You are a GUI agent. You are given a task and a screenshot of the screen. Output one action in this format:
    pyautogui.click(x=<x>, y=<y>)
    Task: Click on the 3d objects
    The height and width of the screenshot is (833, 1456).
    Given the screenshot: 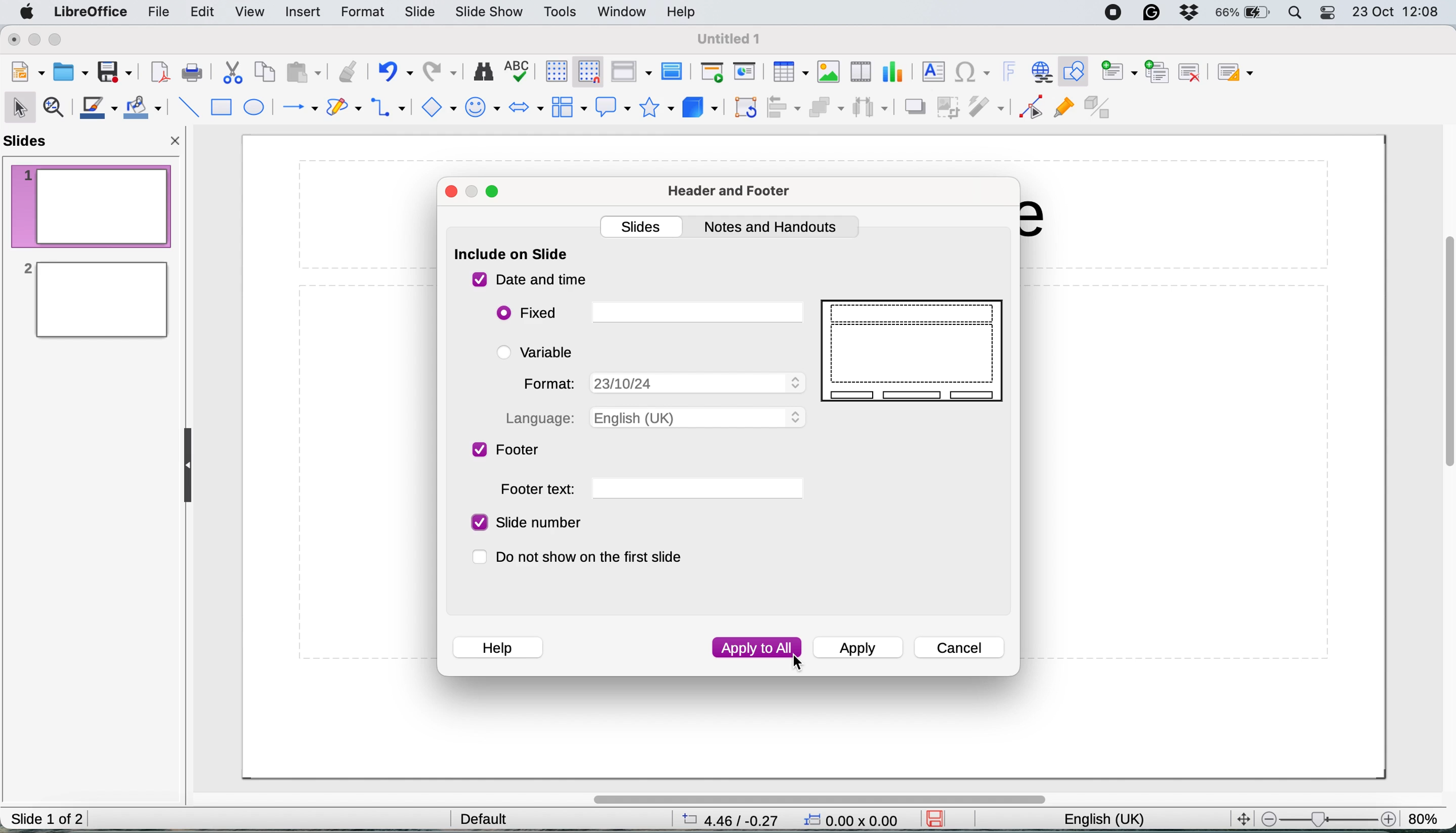 What is the action you would take?
    pyautogui.click(x=699, y=108)
    